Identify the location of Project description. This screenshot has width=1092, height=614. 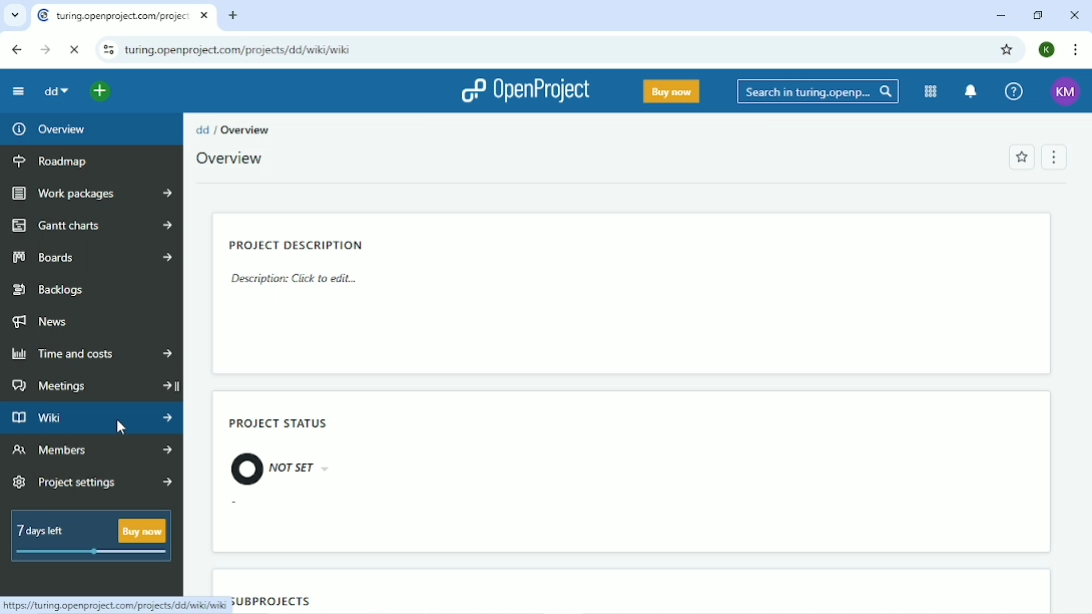
(302, 265).